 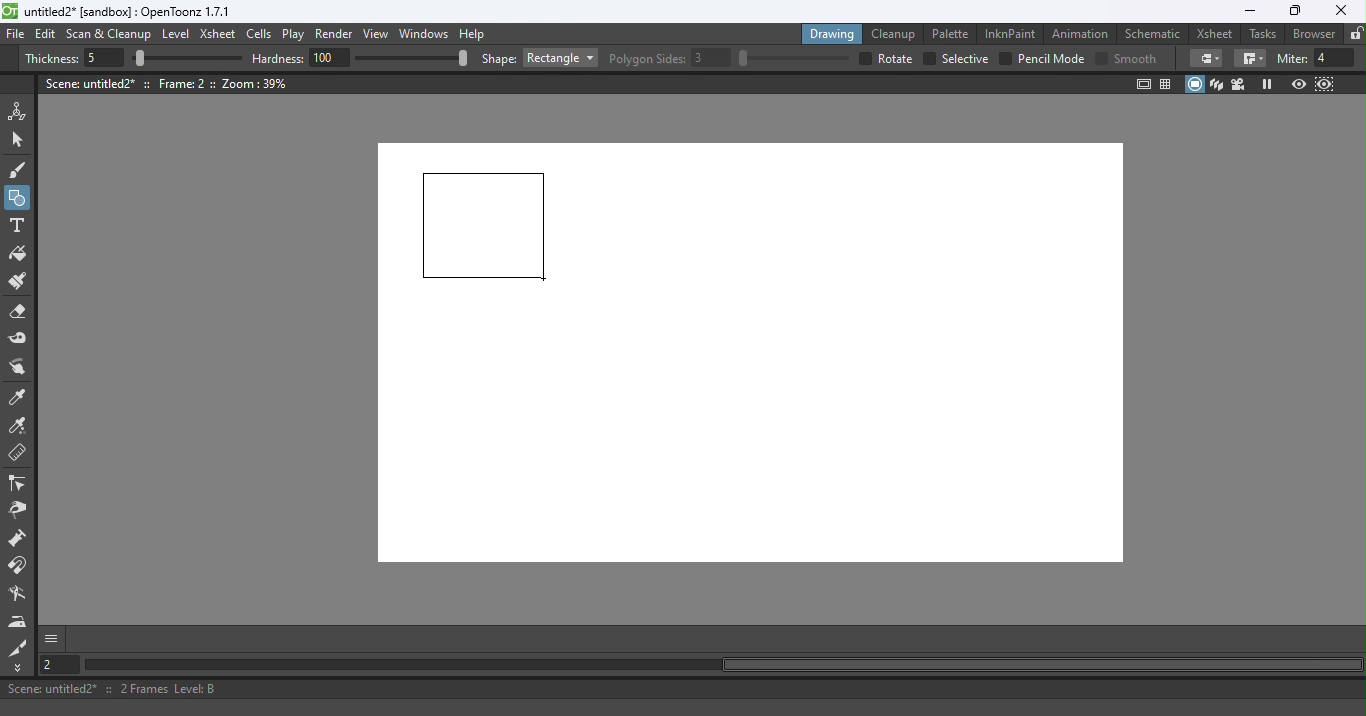 I want to click on Iron tool, so click(x=20, y=621).